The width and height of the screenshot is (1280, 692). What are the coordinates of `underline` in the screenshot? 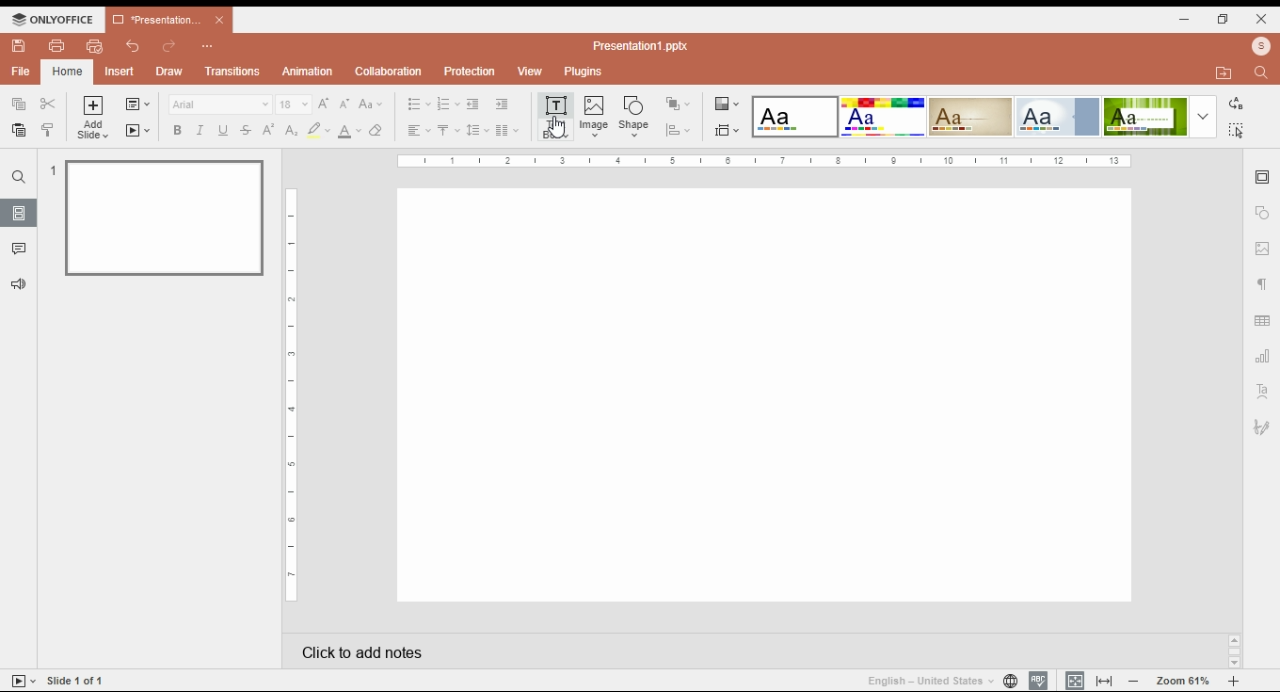 It's located at (224, 130).